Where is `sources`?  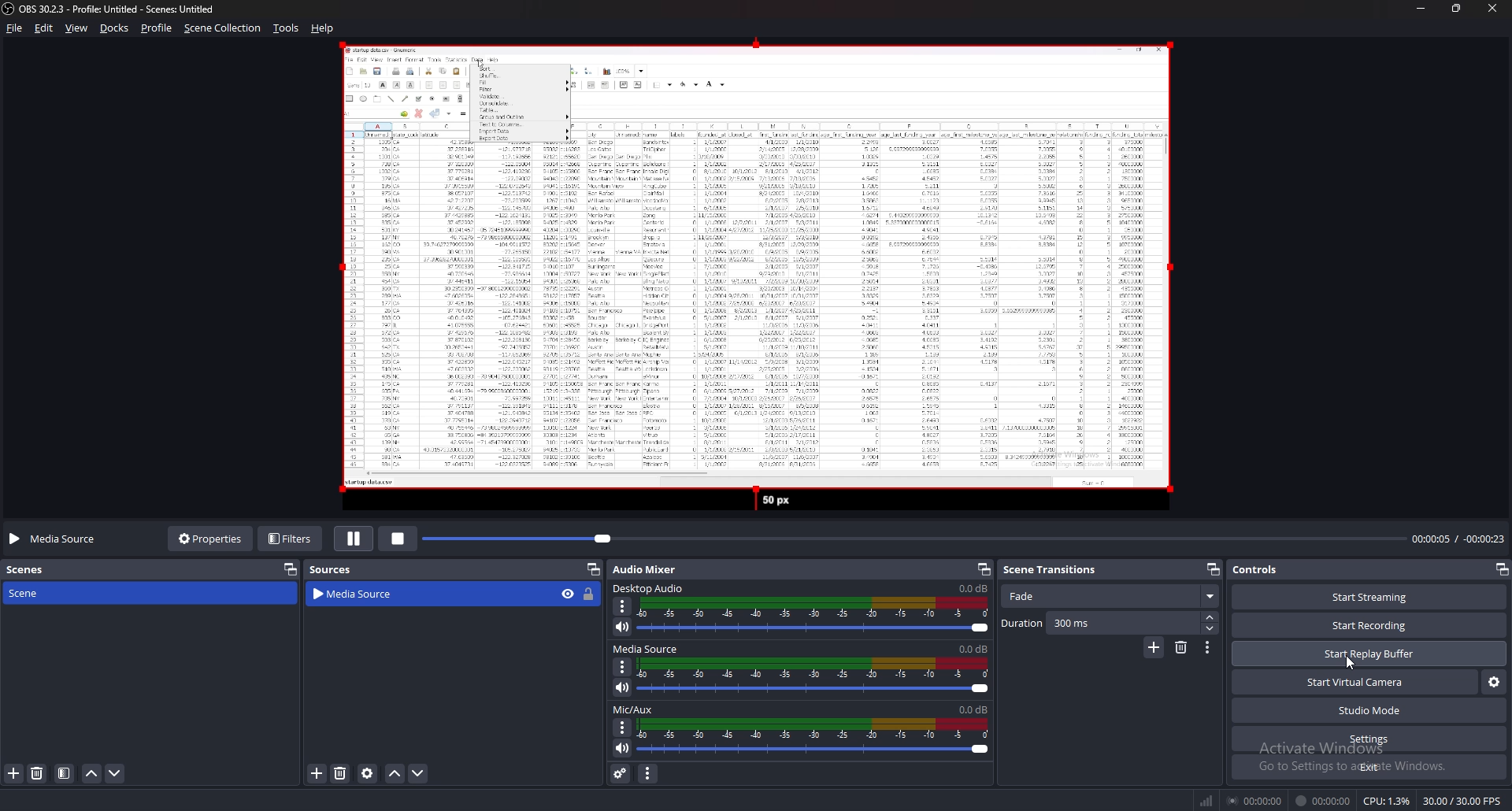 sources is located at coordinates (336, 568).